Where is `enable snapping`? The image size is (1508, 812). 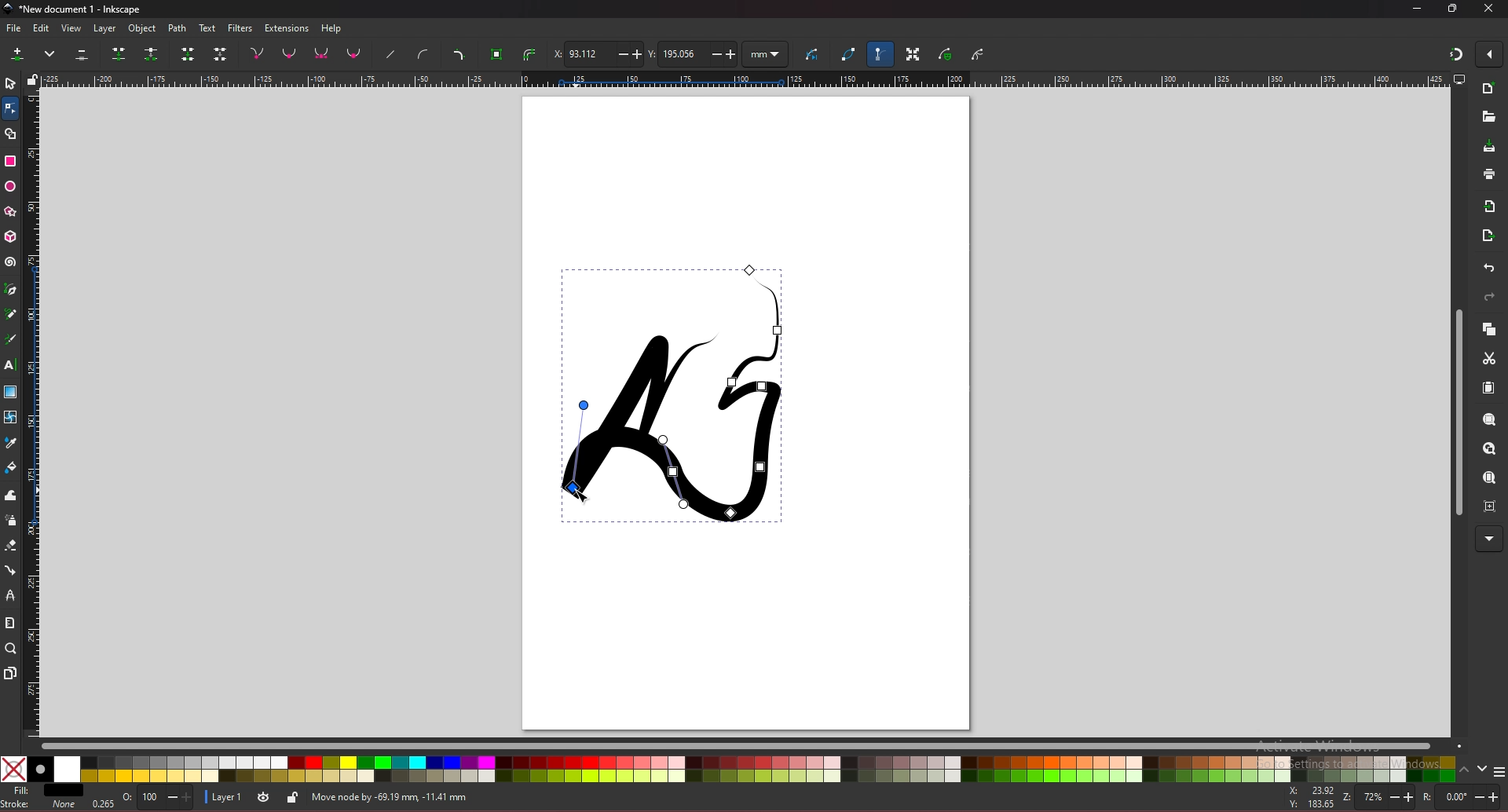
enable snapping is located at coordinates (1488, 54).